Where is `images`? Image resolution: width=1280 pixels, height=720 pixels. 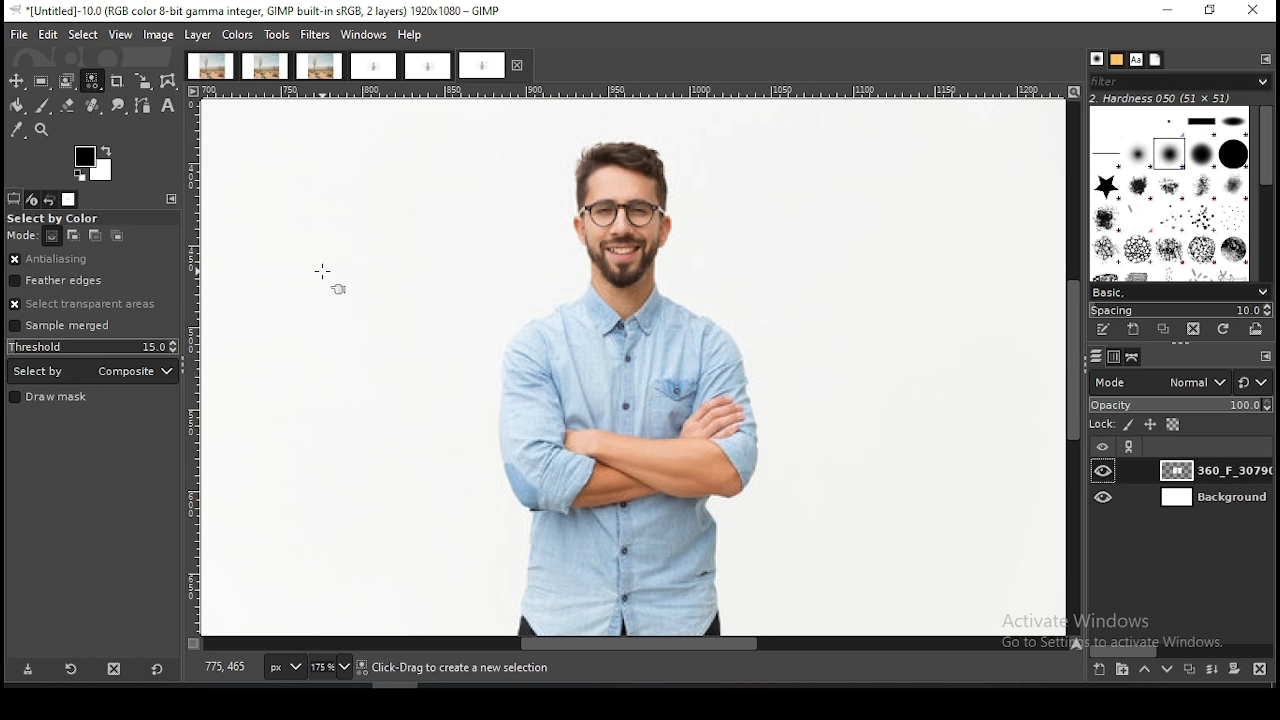
images is located at coordinates (69, 200).